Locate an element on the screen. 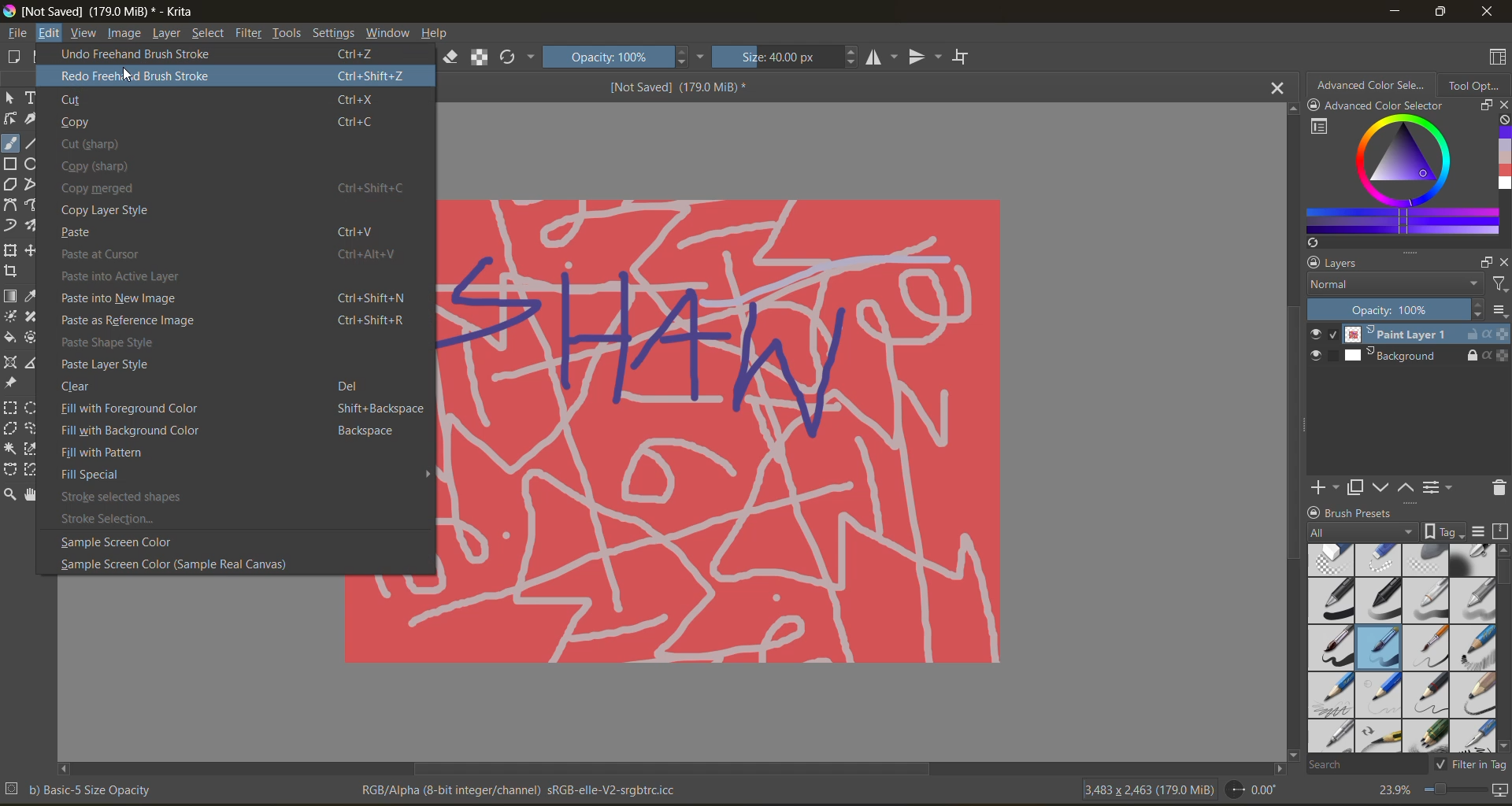  zoom is located at coordinates (1454, 792).